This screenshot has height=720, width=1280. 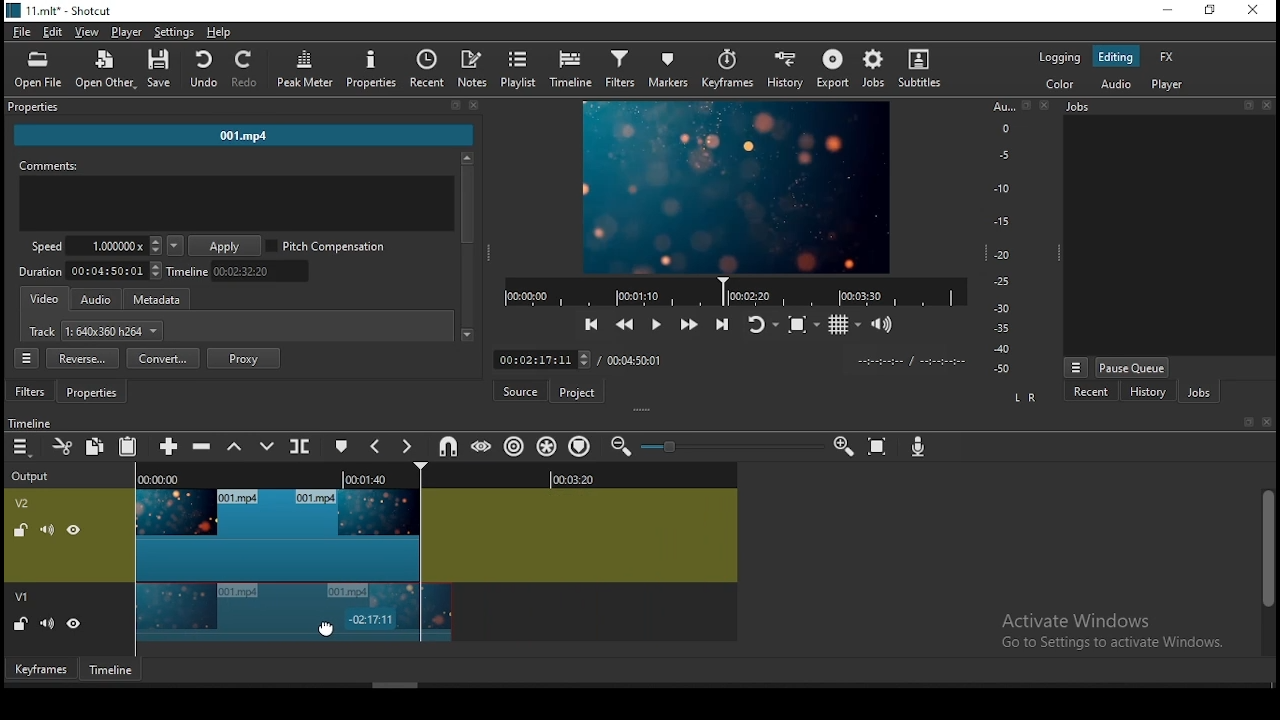 I want to click on metadata, so click(x=163, y=300).